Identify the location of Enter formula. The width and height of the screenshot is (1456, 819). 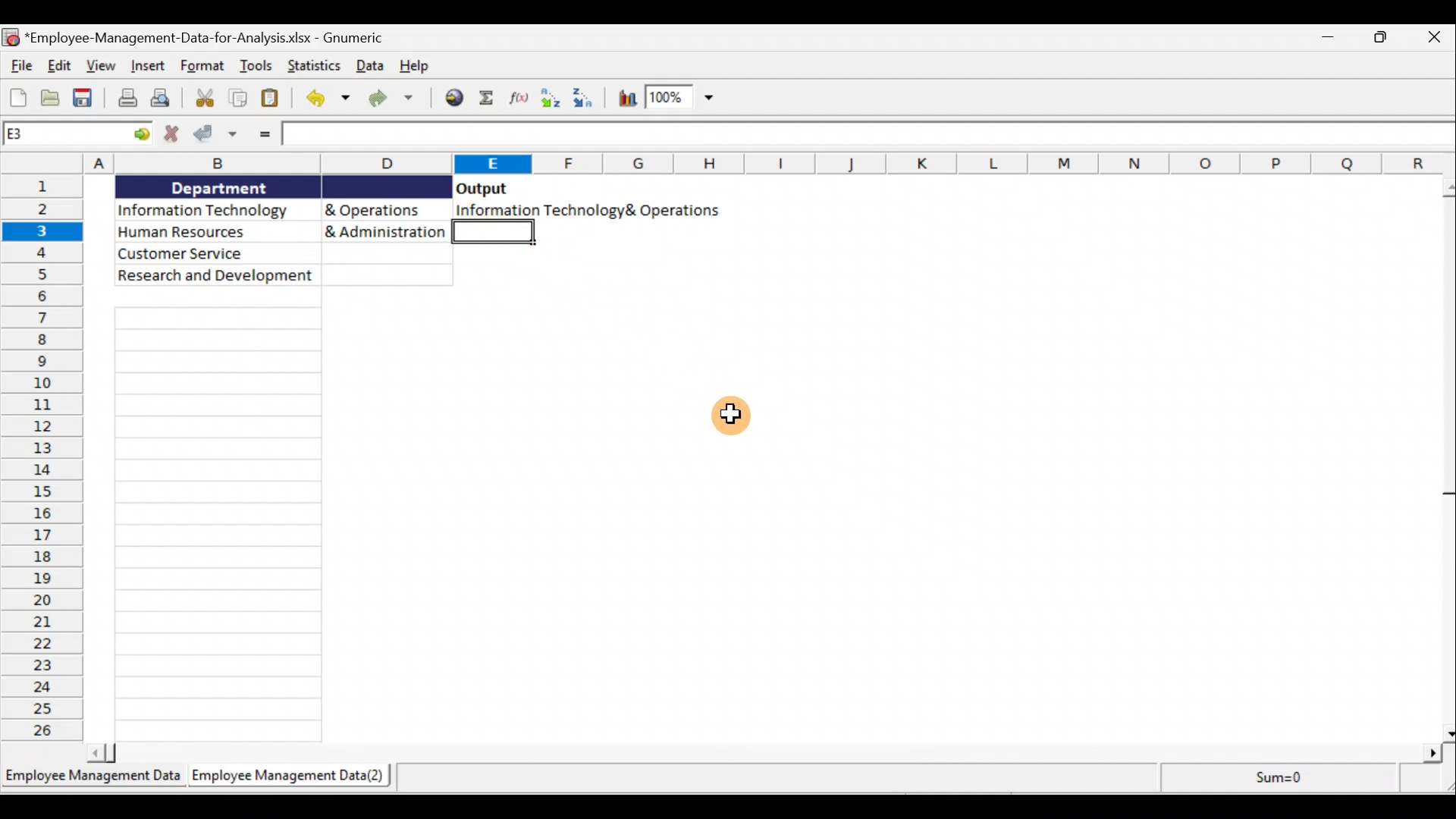
(266, 133).